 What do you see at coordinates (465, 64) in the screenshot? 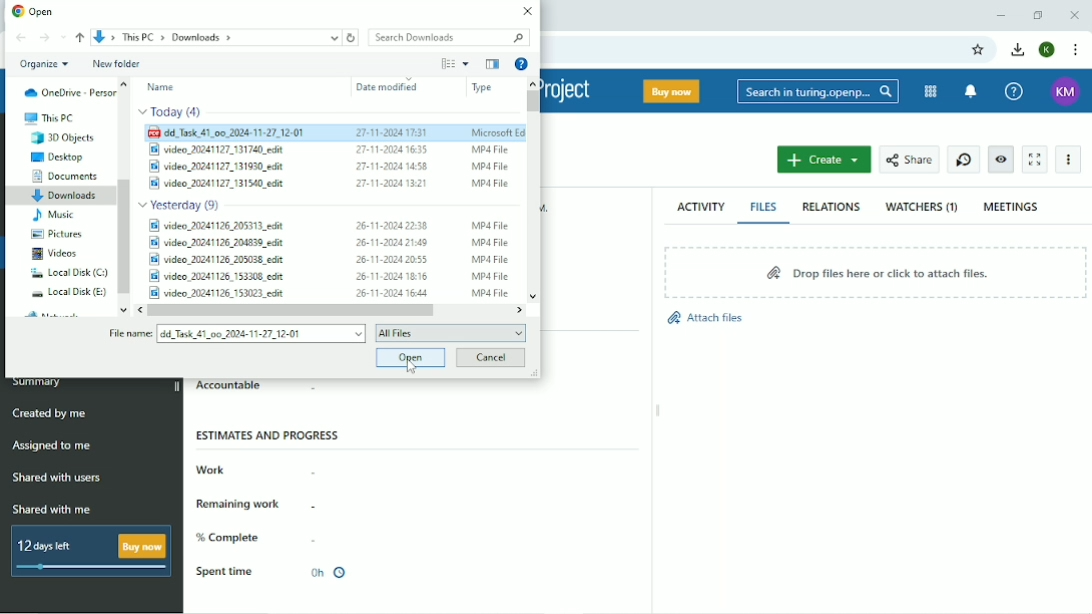
I see `More options` at bounding box center [465, 64].